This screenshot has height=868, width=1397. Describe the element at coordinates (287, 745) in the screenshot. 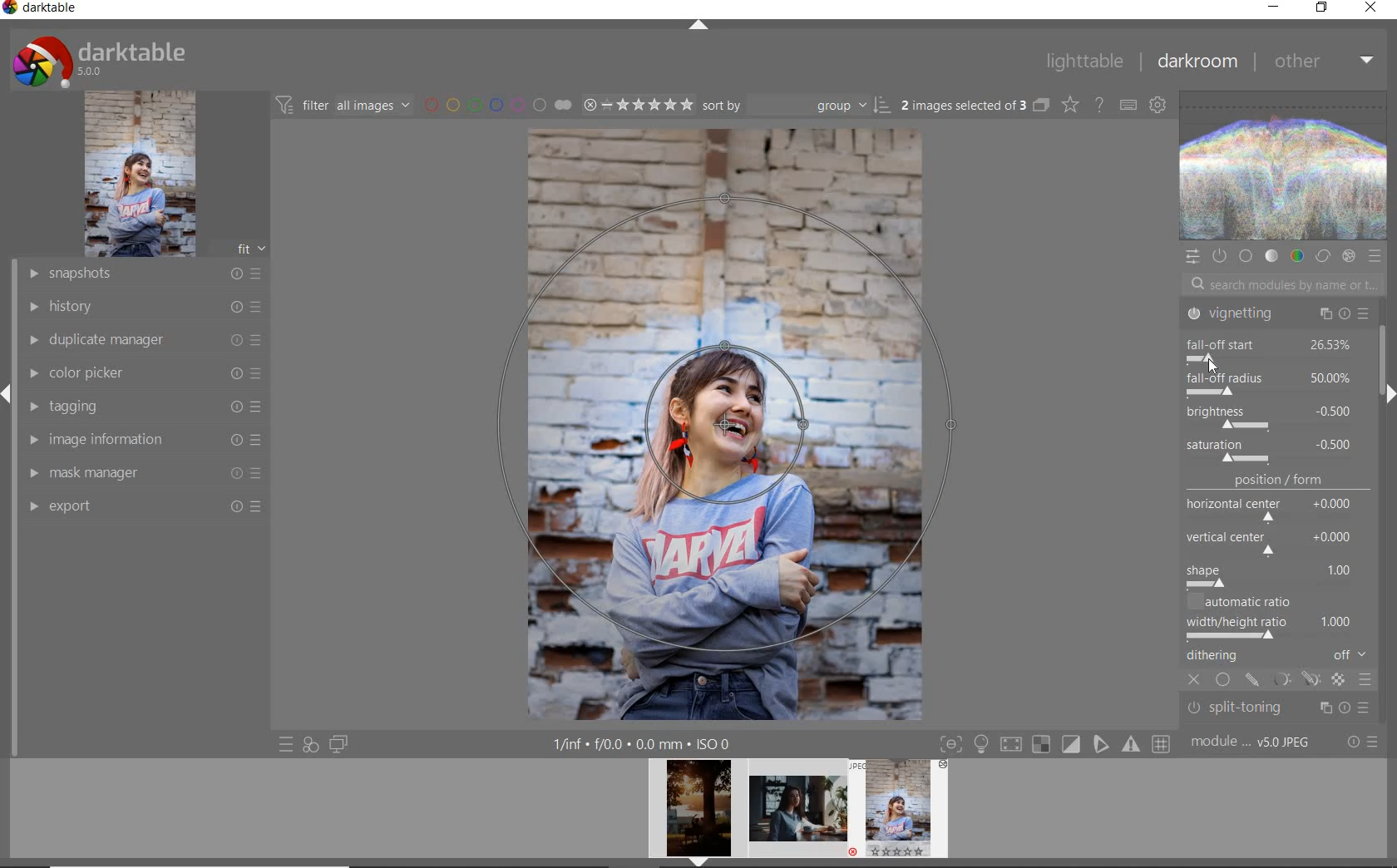

I see `quick access to preset` at that location.